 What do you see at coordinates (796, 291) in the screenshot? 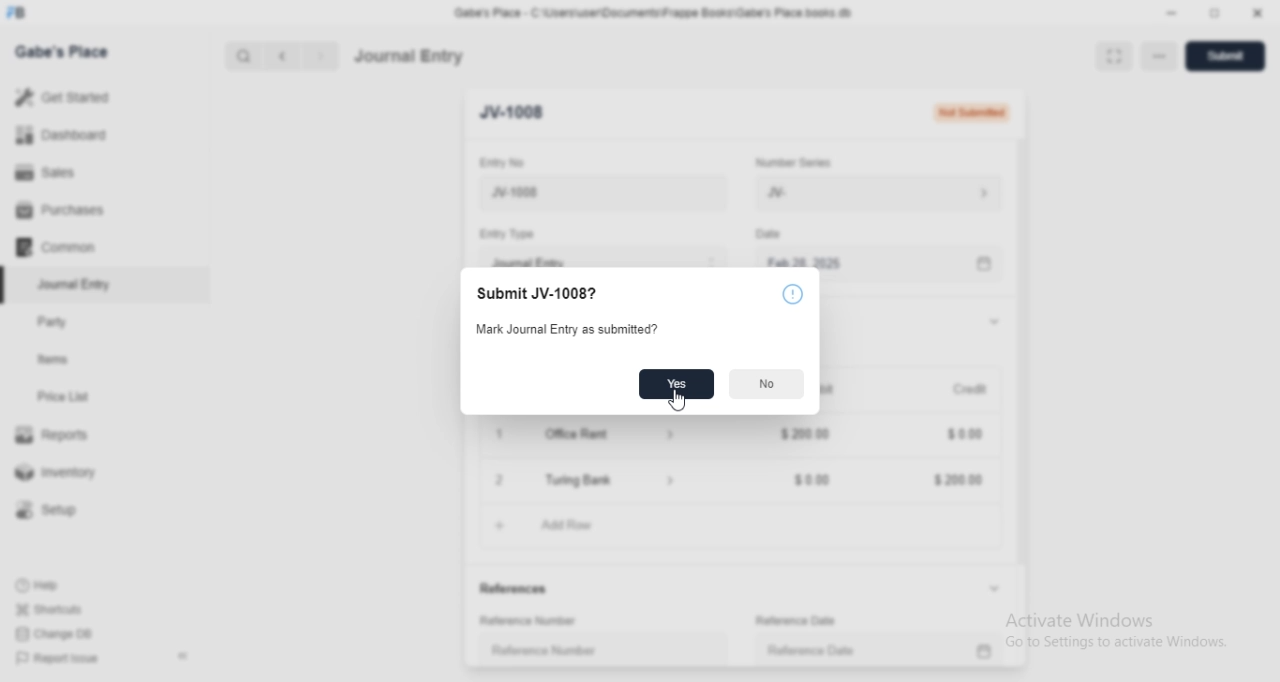
I see `INFO` at bounding box center [796, 291].